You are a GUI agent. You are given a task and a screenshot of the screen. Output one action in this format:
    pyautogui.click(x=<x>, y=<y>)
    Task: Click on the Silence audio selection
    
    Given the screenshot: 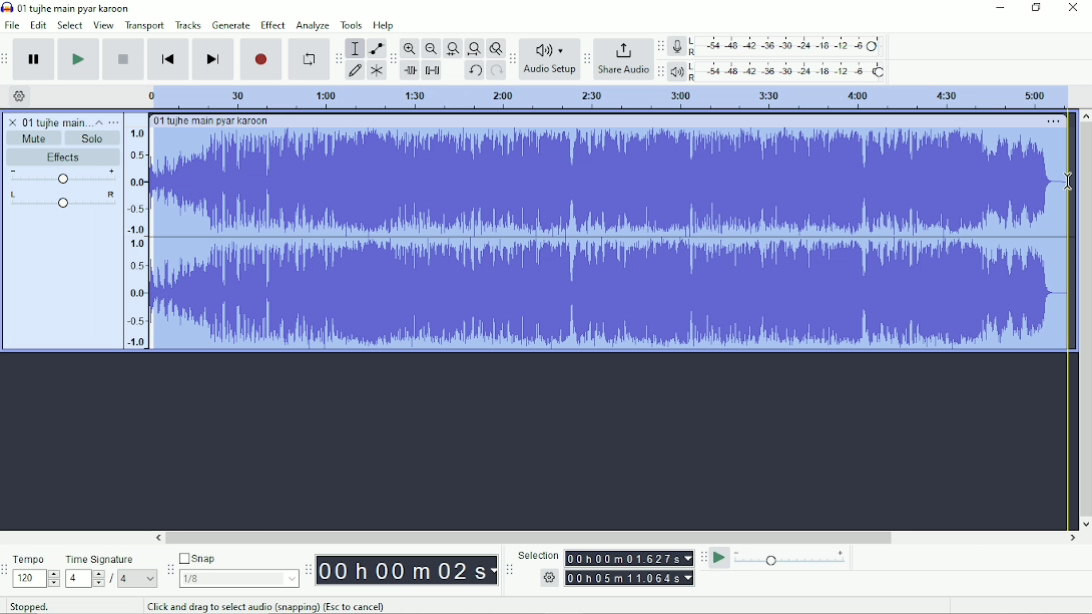 What is the action you would take?
    pyautogui.click(x=433, y=71)
    